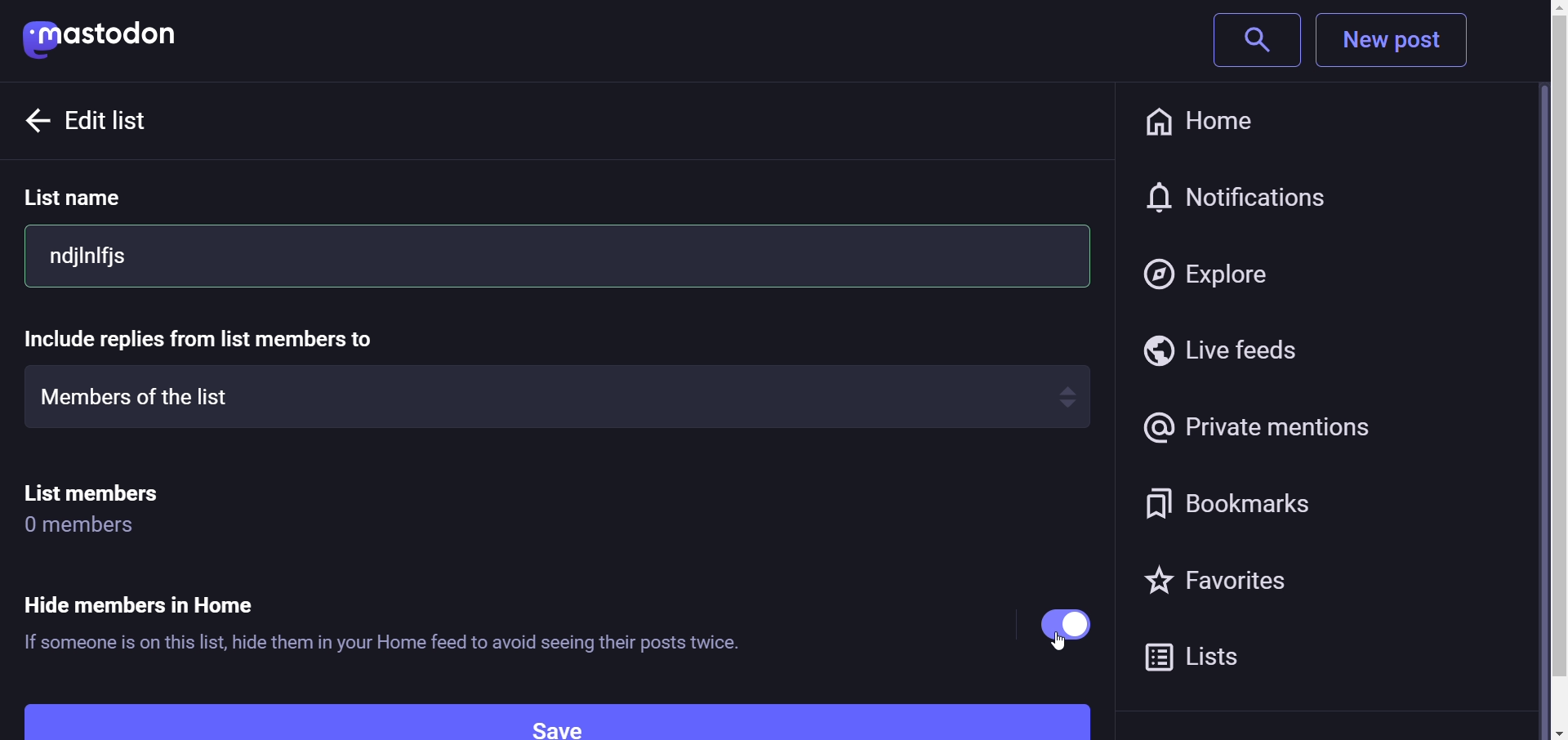 The height and width of the screenshot is (740, 1568). Describe the element at coordinates (131, 486) in the screenshot. I see `list members` at that location.